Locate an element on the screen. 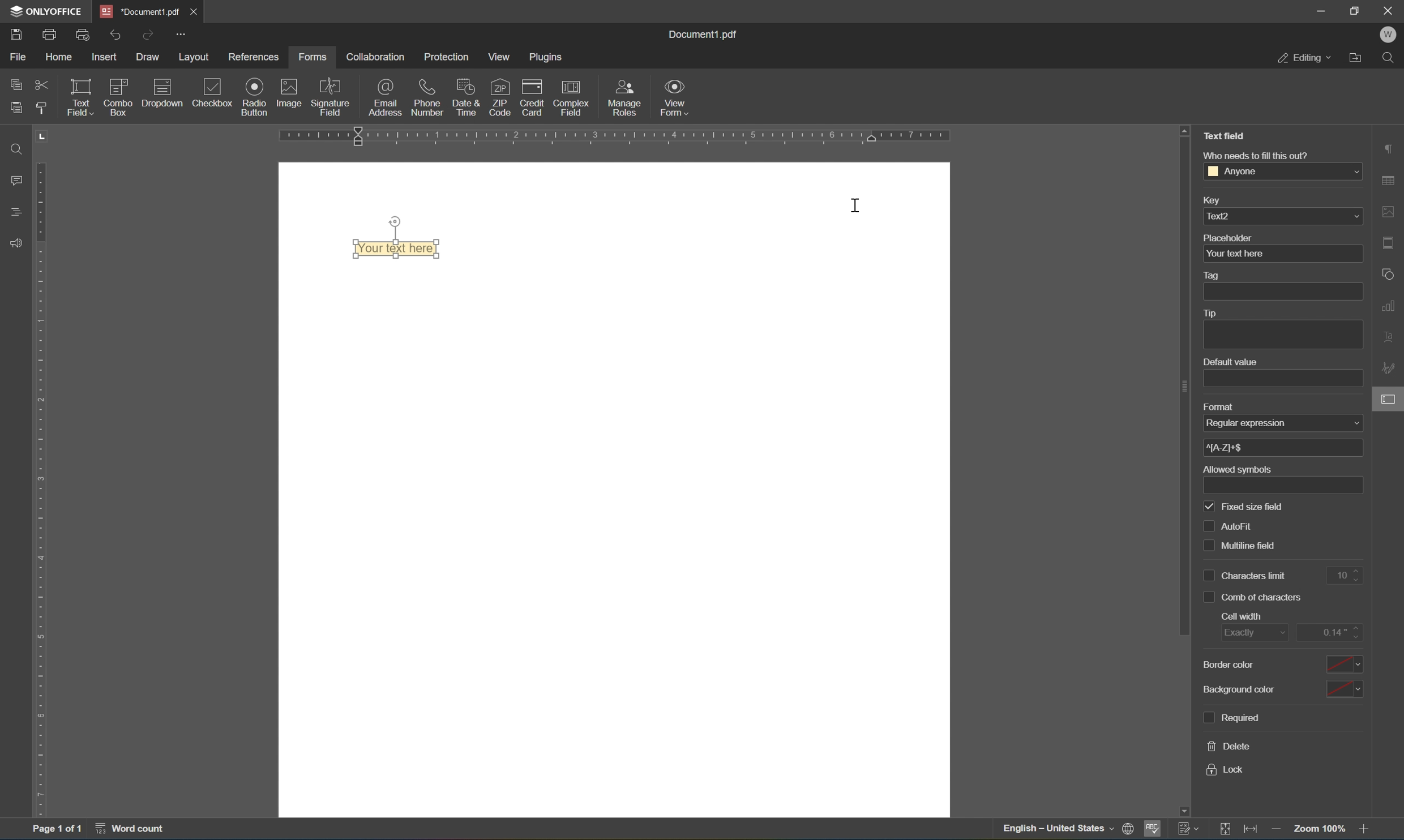  print preview is located at coordinates (82, 33).